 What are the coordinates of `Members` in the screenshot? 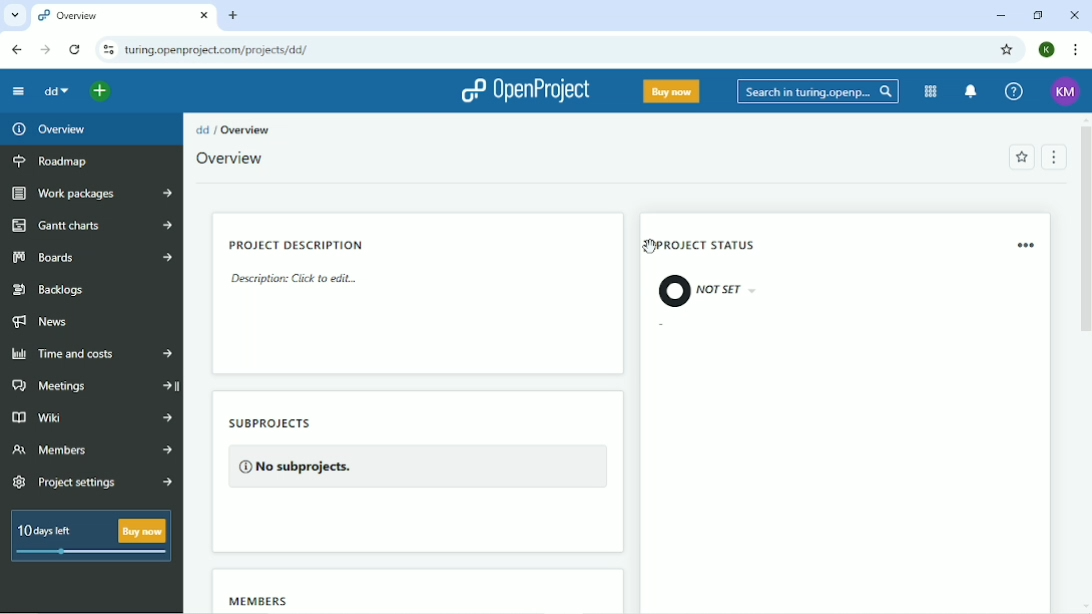 It's located at (92, 450).